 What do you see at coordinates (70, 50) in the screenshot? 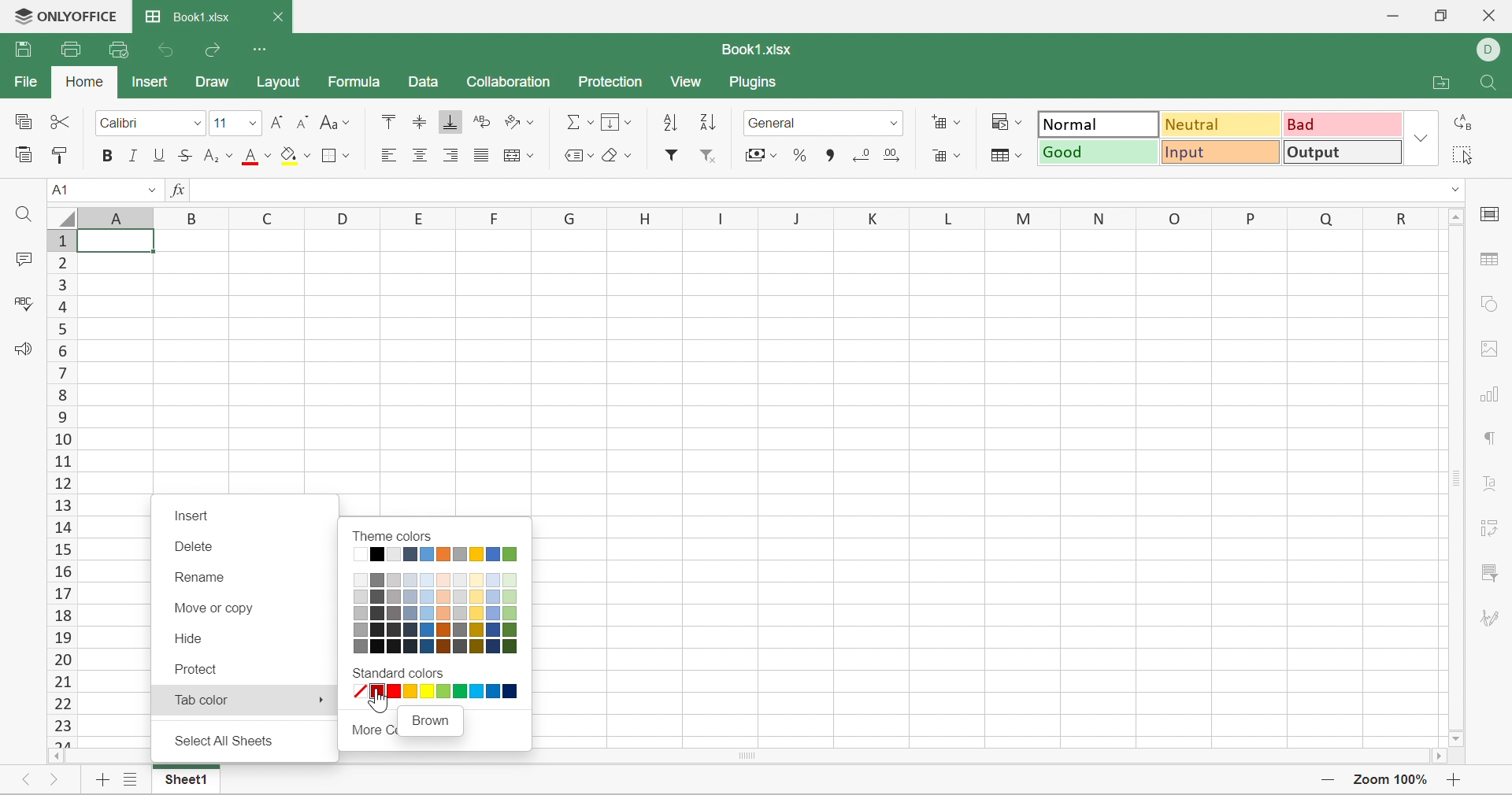
I see `Print file` at bounding box center [70, 50].